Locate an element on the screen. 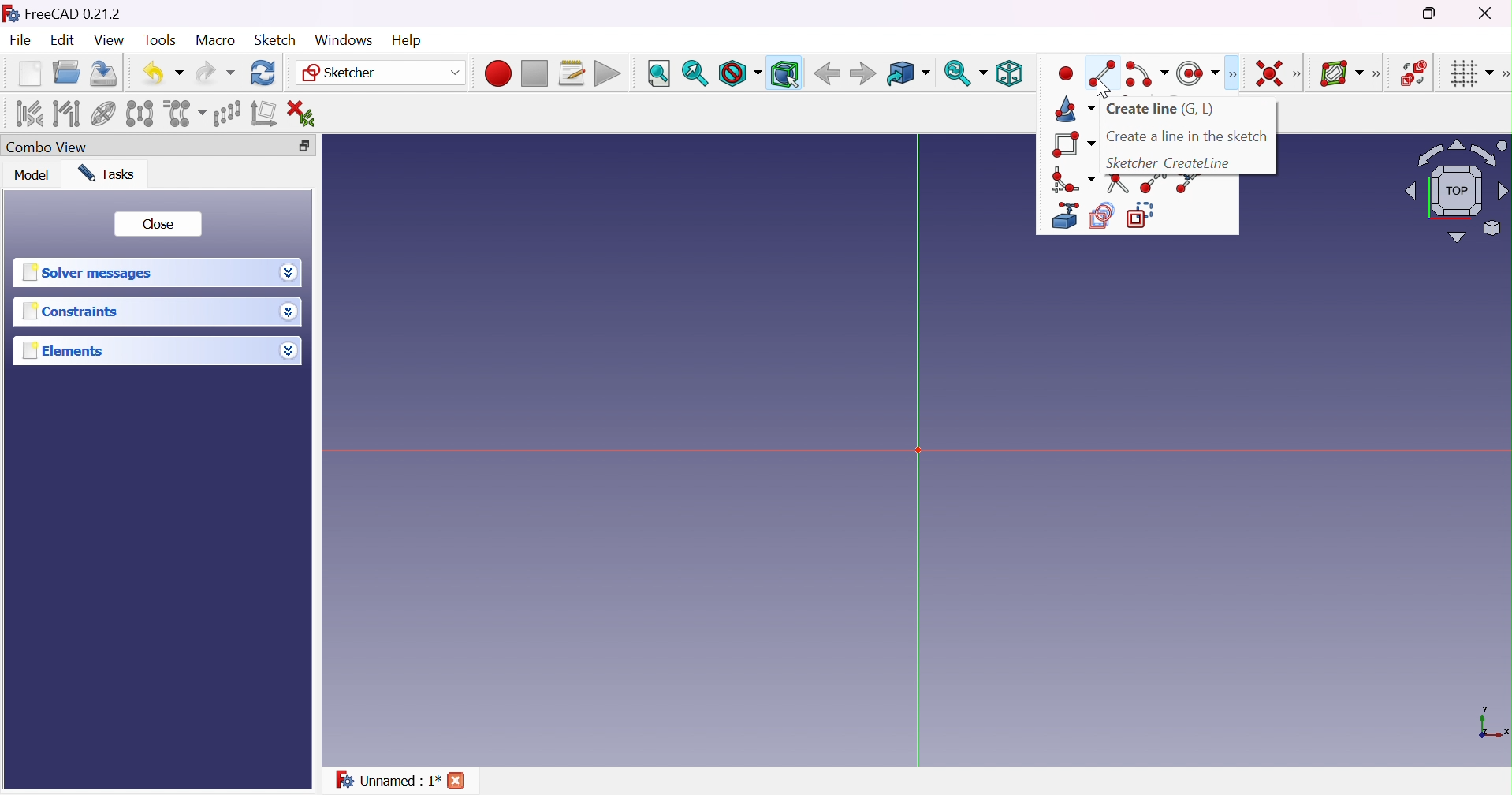 This screenshot has width=1512, height=795. [Sketcher edit tools] is located at coordinates (1503, 77).